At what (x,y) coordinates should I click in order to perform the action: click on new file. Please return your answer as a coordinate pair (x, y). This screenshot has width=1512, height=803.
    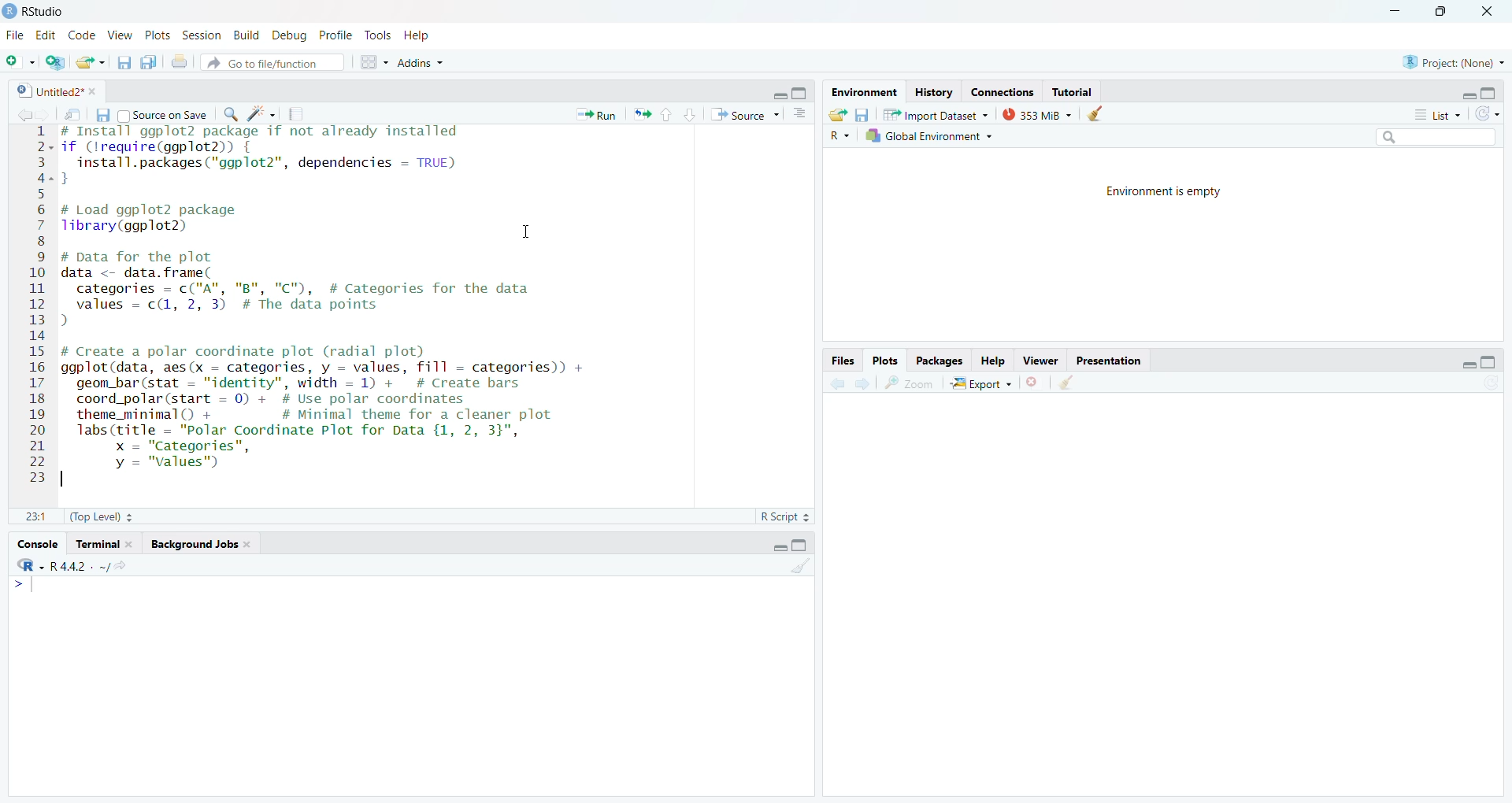
    Looking at the image, I should click on (19, 62).